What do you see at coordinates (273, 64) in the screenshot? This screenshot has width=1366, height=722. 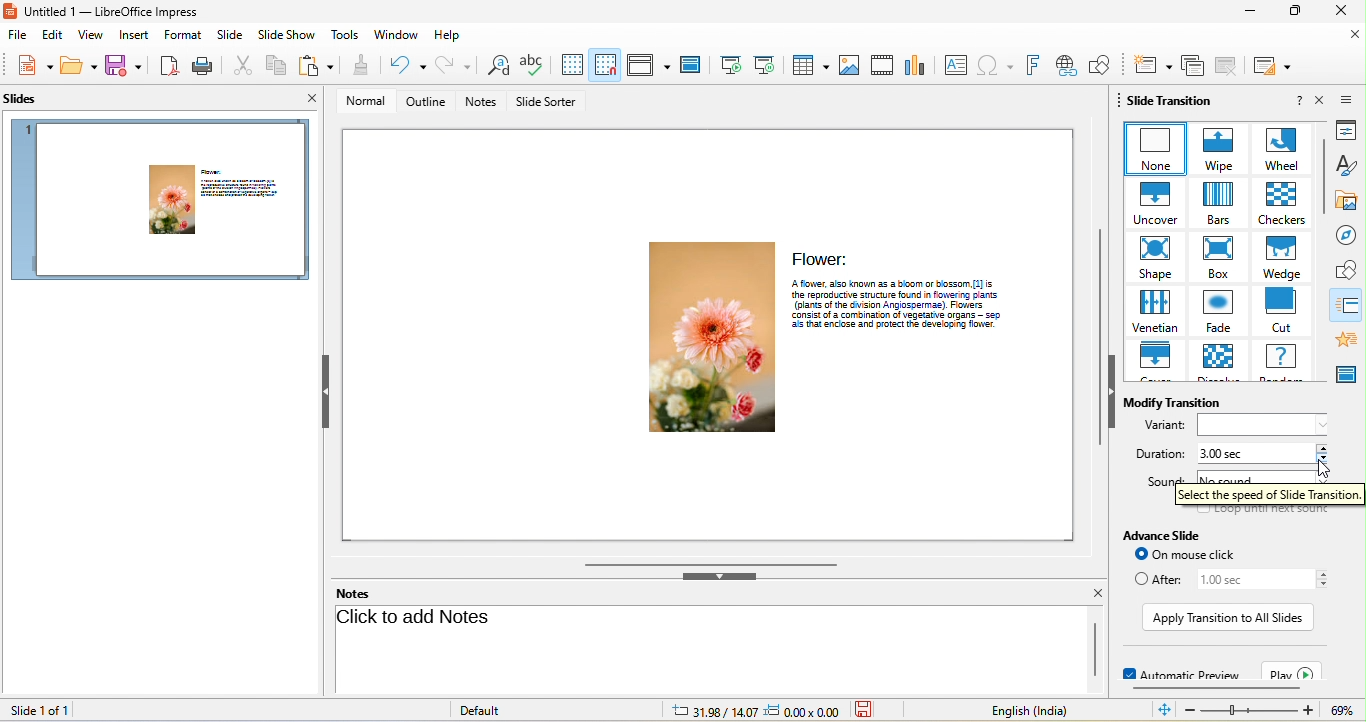 I see `copy` at bounding box center [273, 64].